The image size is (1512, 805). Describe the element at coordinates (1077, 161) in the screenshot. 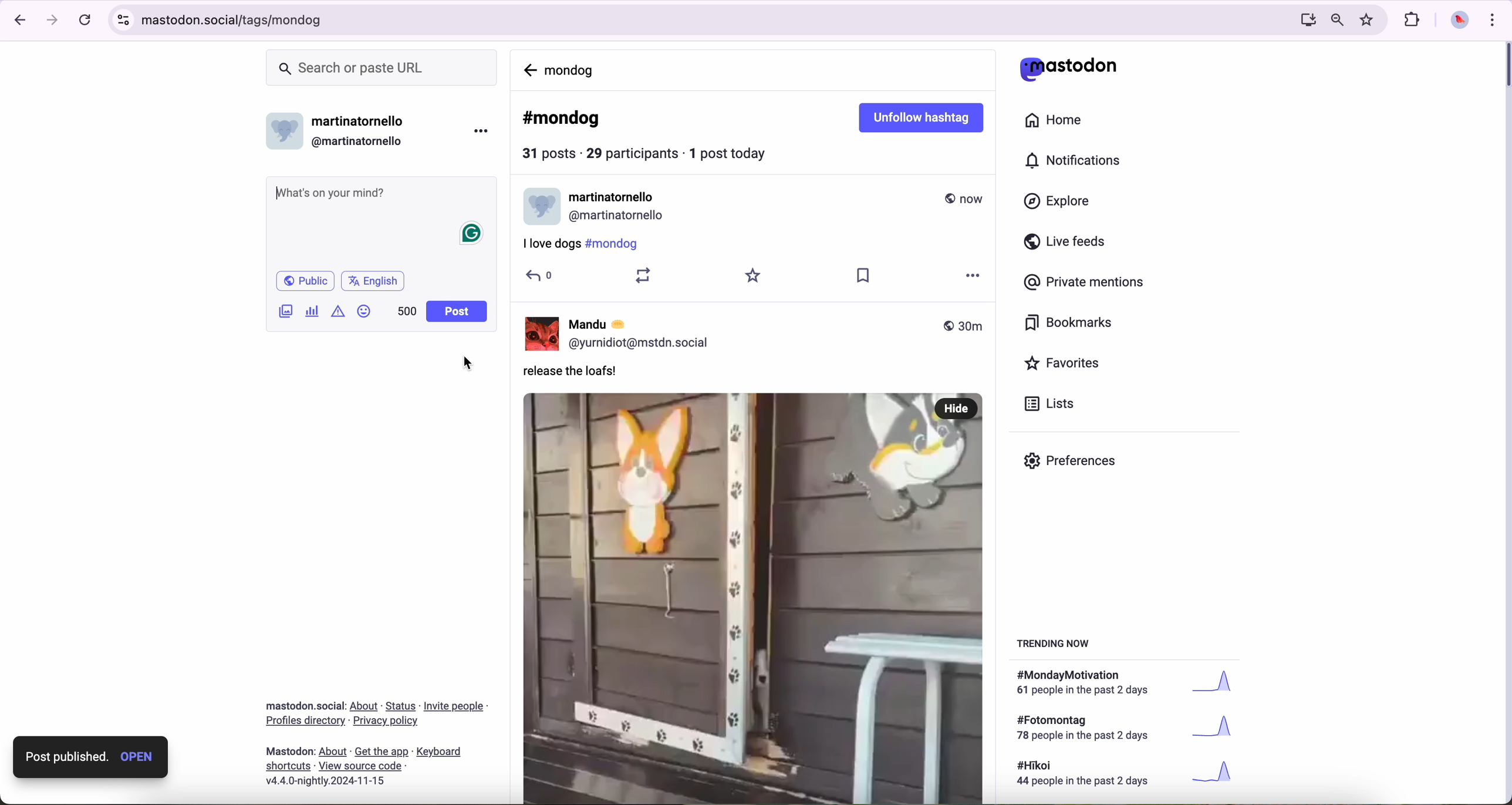

I see `notifications` at that location.